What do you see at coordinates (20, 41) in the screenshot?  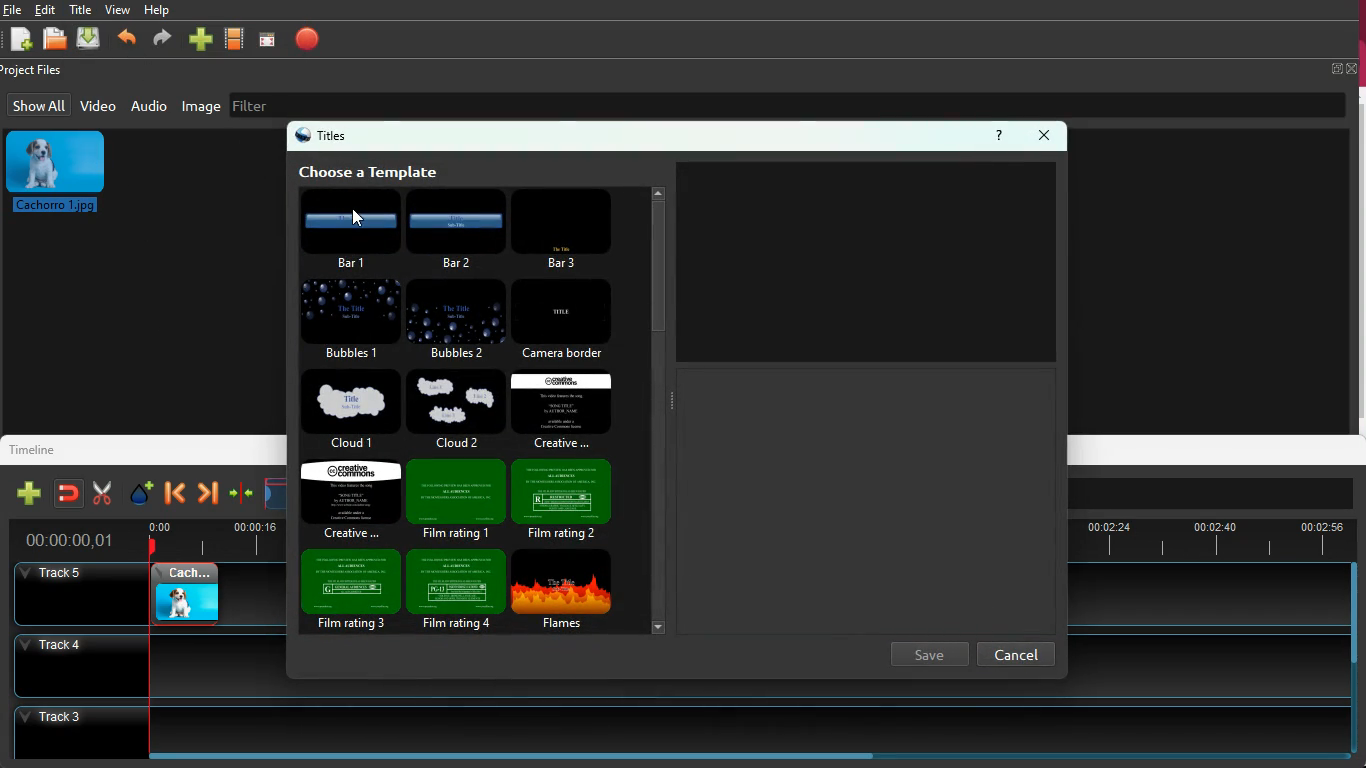 I see `add` at bounding box center [20, 41].